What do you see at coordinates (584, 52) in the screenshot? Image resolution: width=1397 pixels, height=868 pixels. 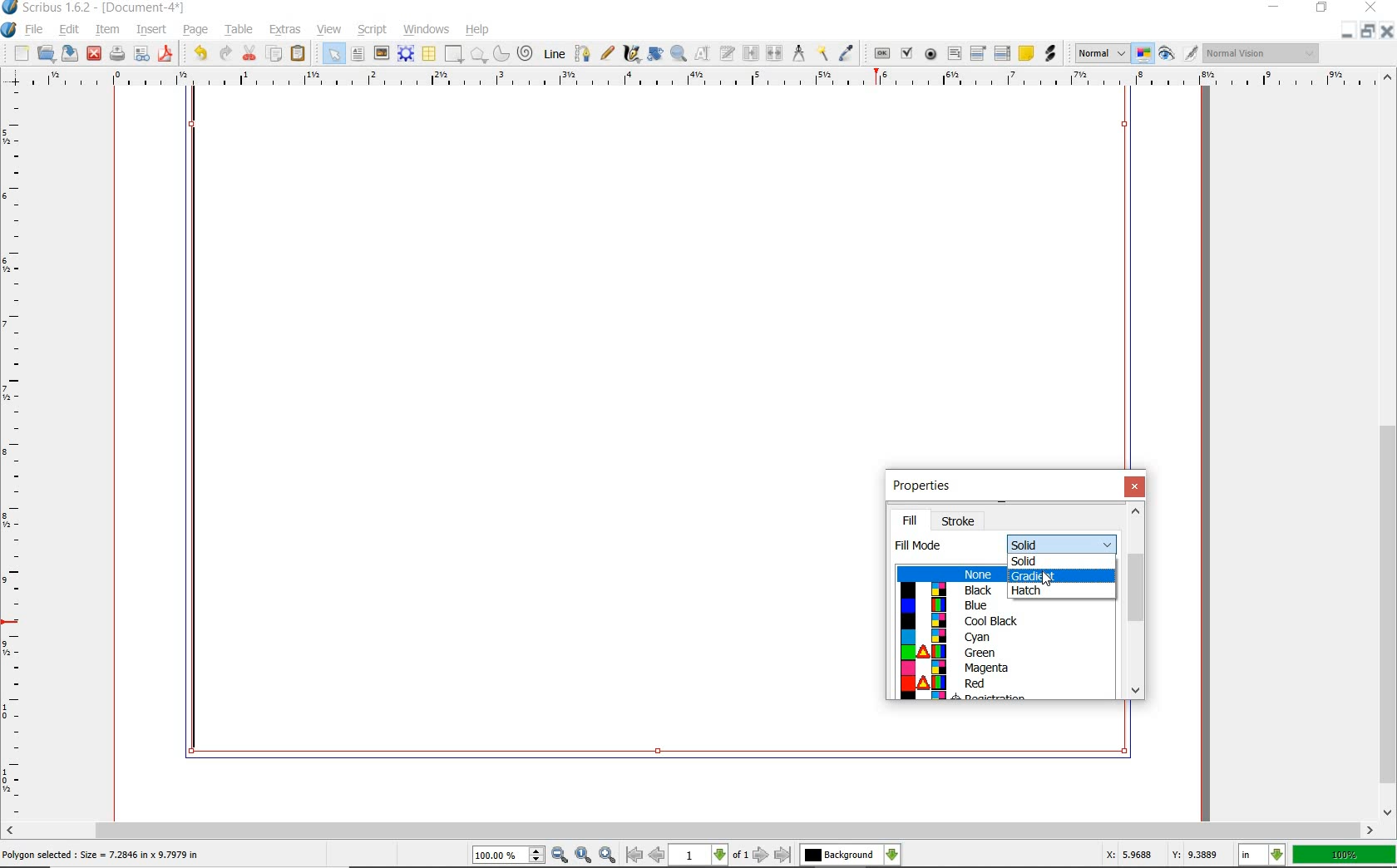 I see `Bezier curve` at bounding box center [584, 52].